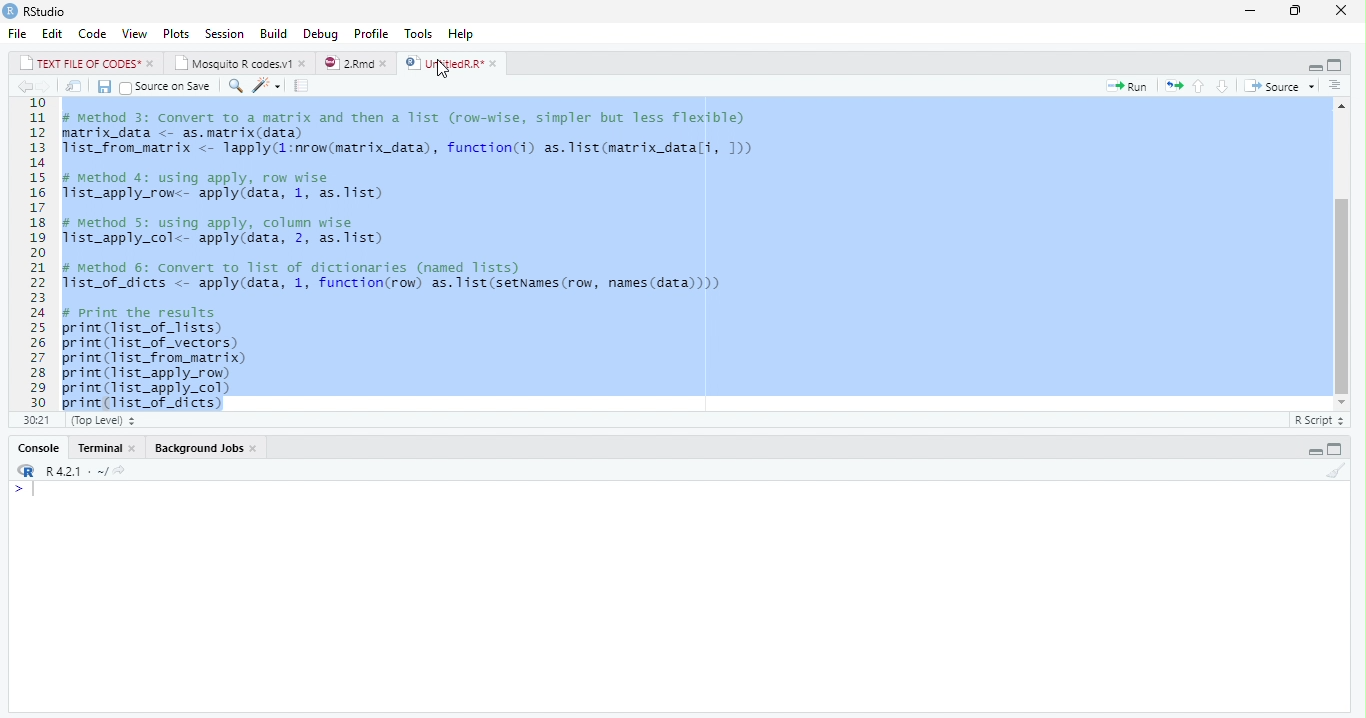 Image resolution: width=1366 pixels, height=718 pixels. I want to click on code to print, so click(176, 365).